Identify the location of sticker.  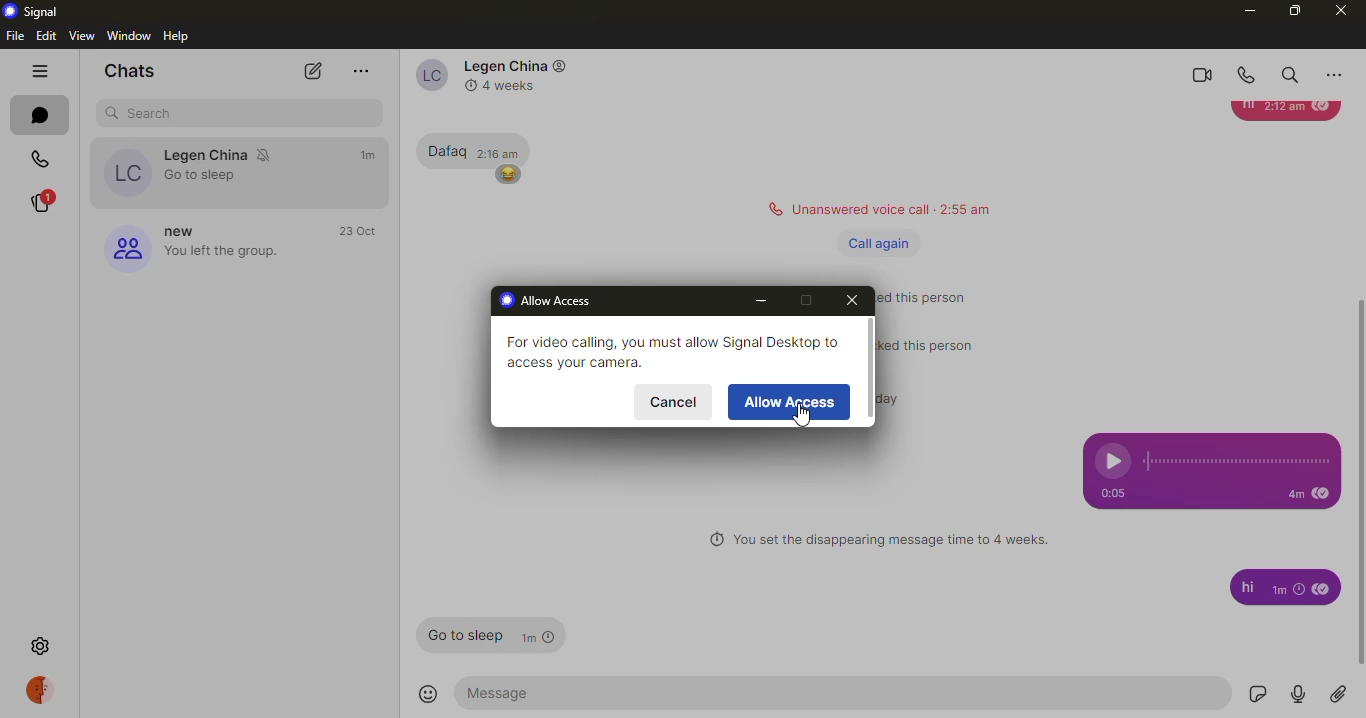
(1255, 694).